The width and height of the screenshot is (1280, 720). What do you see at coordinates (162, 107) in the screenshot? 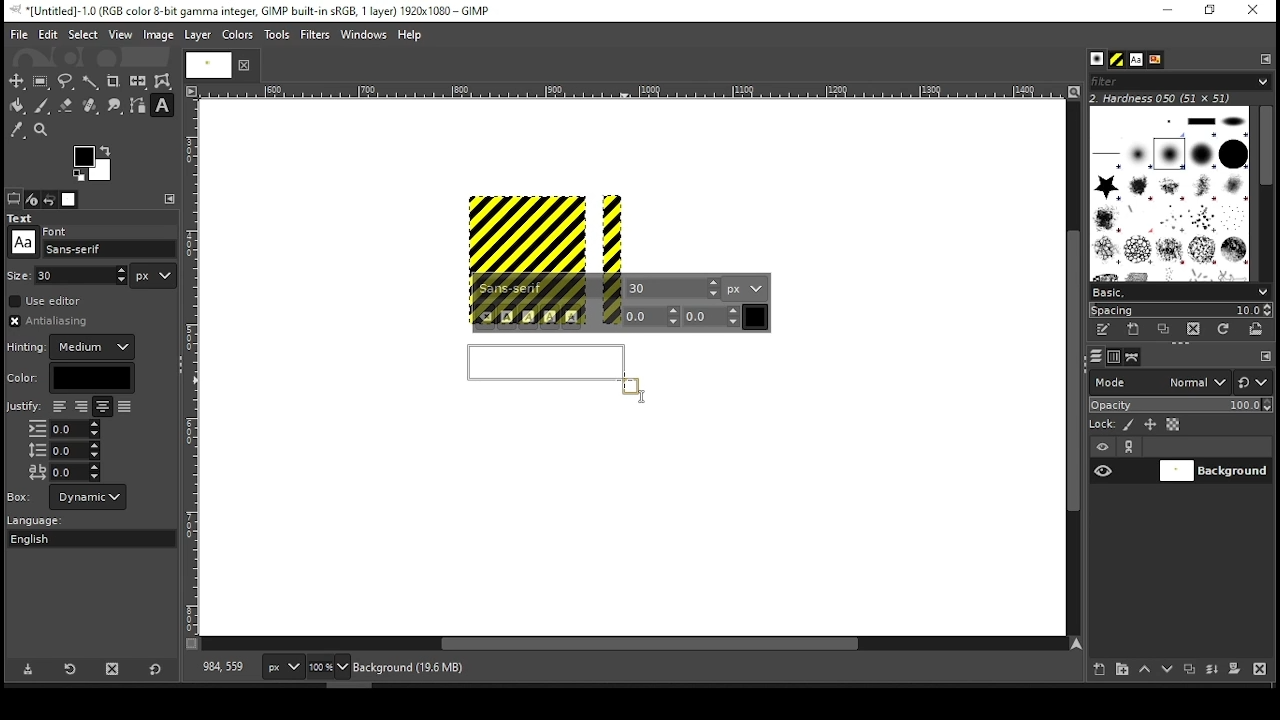
I see `text tool` at bounding box center [162, 107].